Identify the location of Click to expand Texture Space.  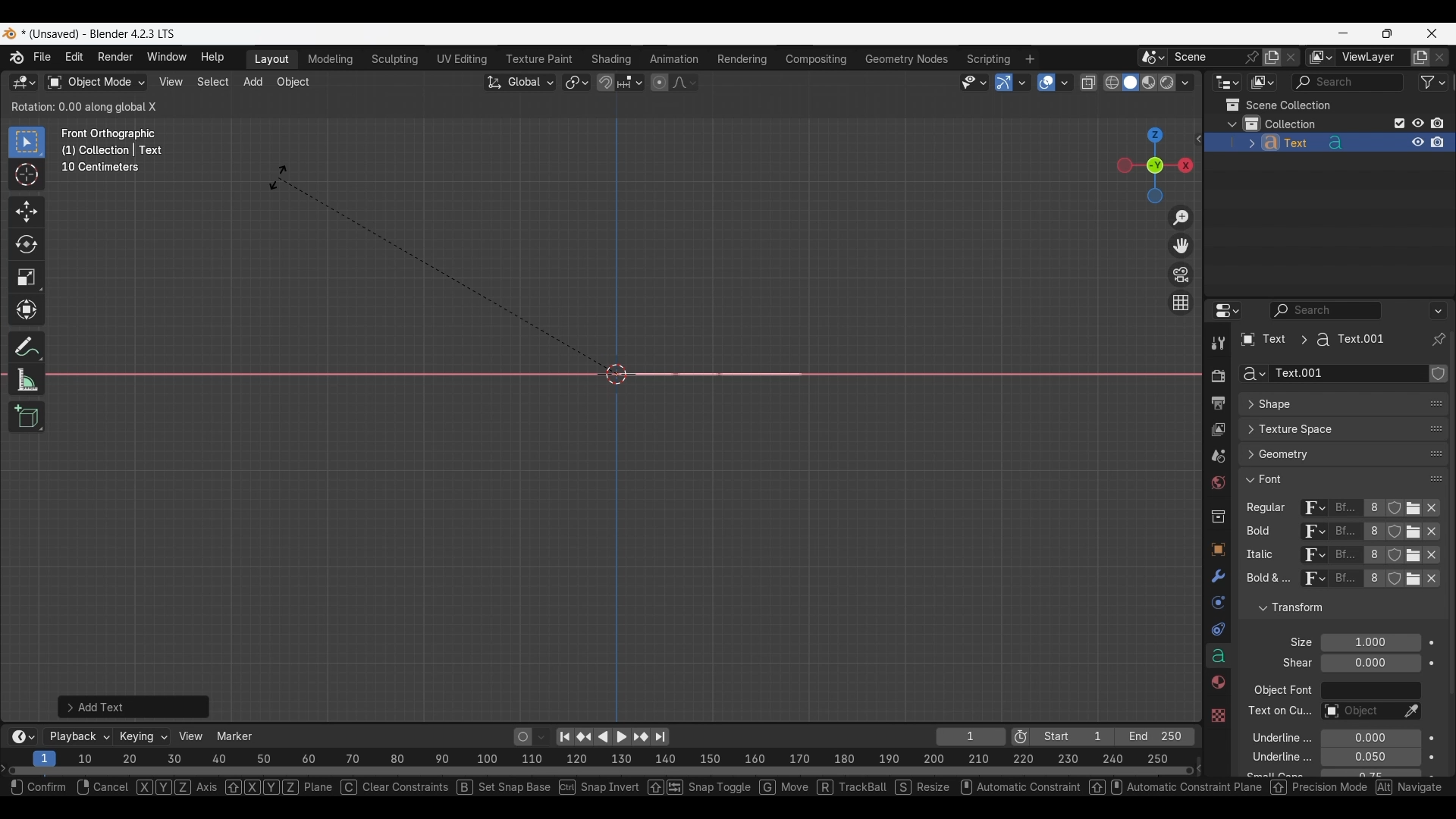
(1328, 429).